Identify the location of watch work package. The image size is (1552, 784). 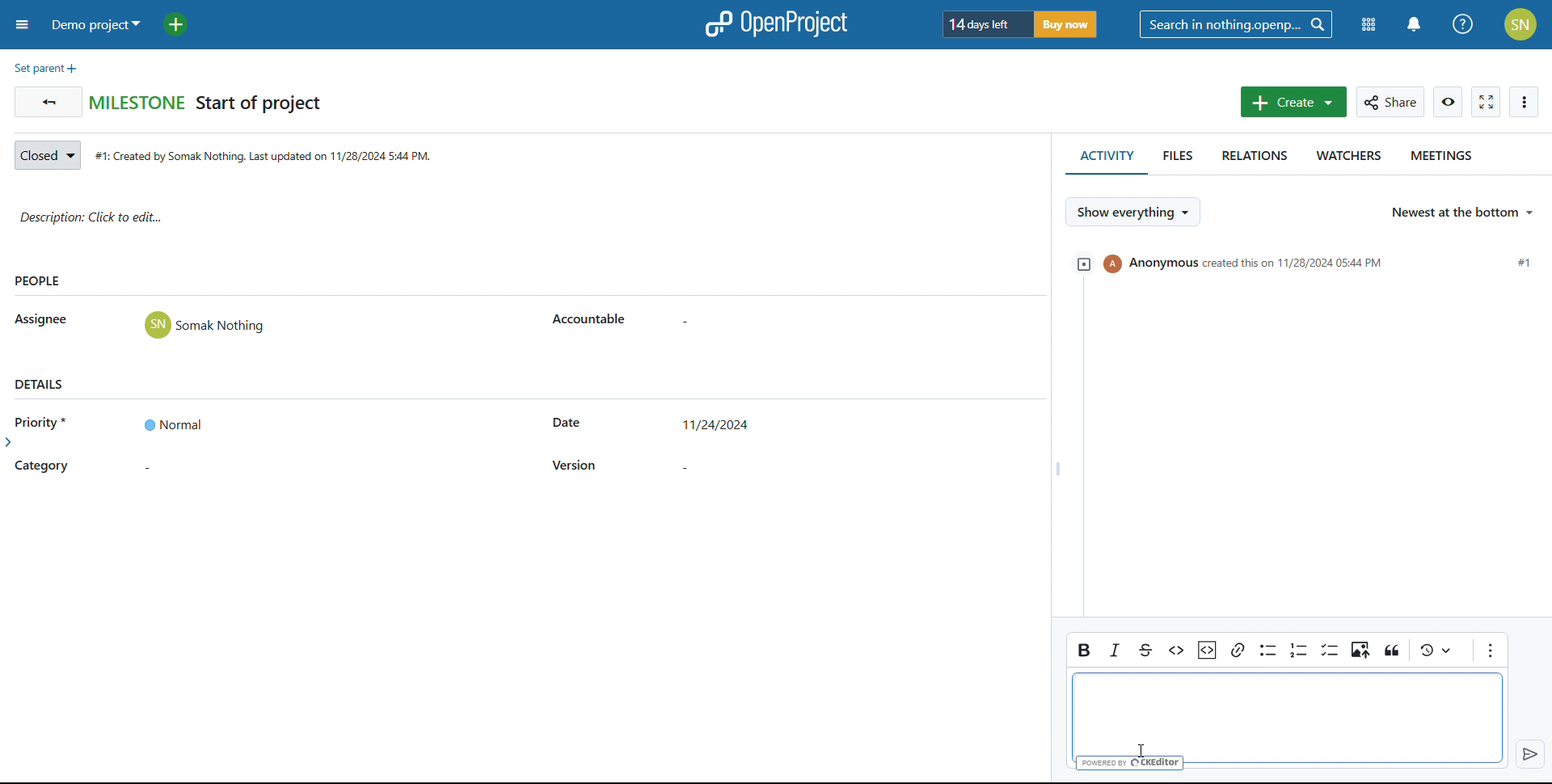
(1449, 102).